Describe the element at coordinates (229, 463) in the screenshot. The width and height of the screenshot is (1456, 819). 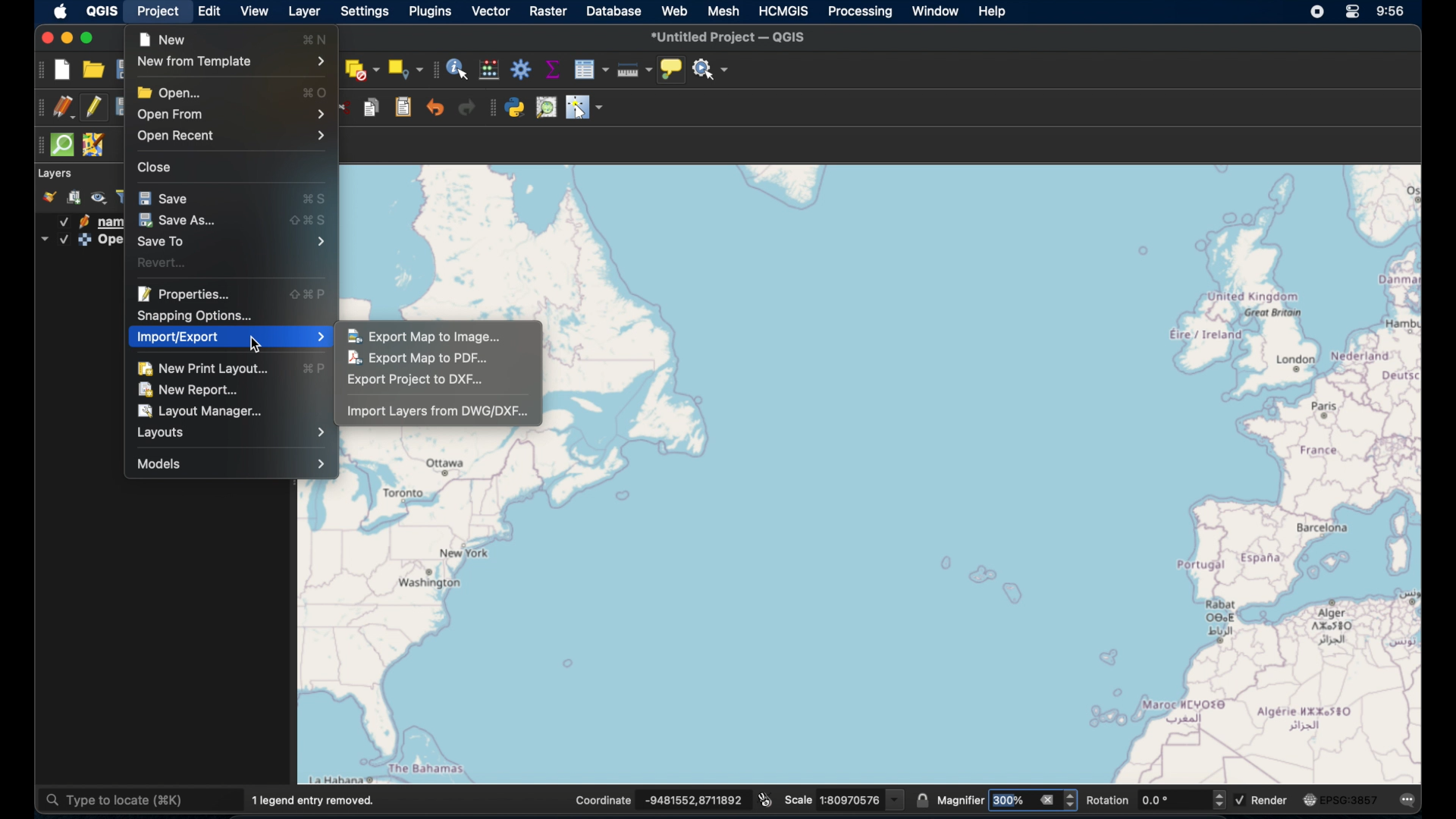
I see `models menu` at that location.